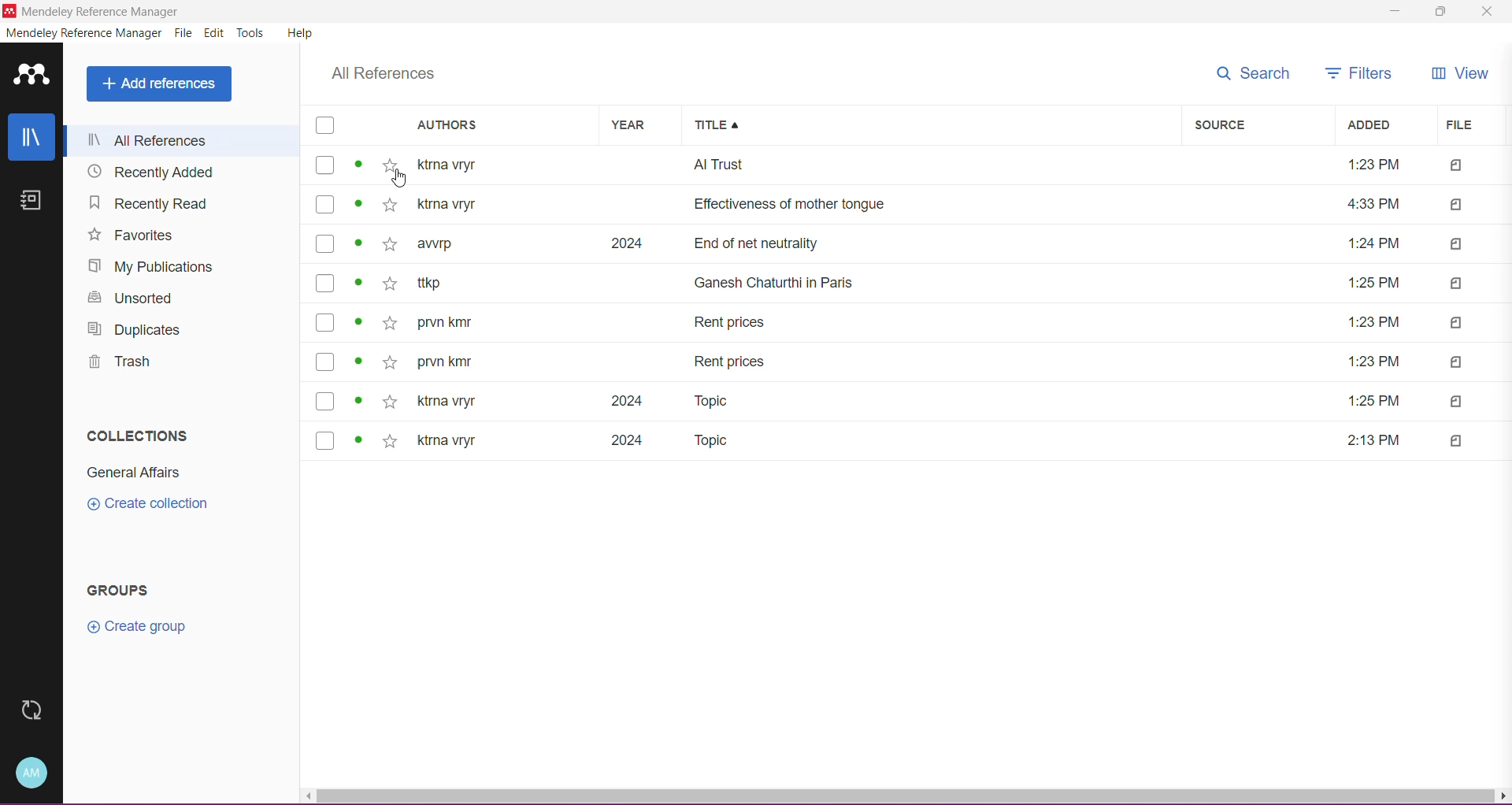  I want to click on Trash, so click(115, 365).